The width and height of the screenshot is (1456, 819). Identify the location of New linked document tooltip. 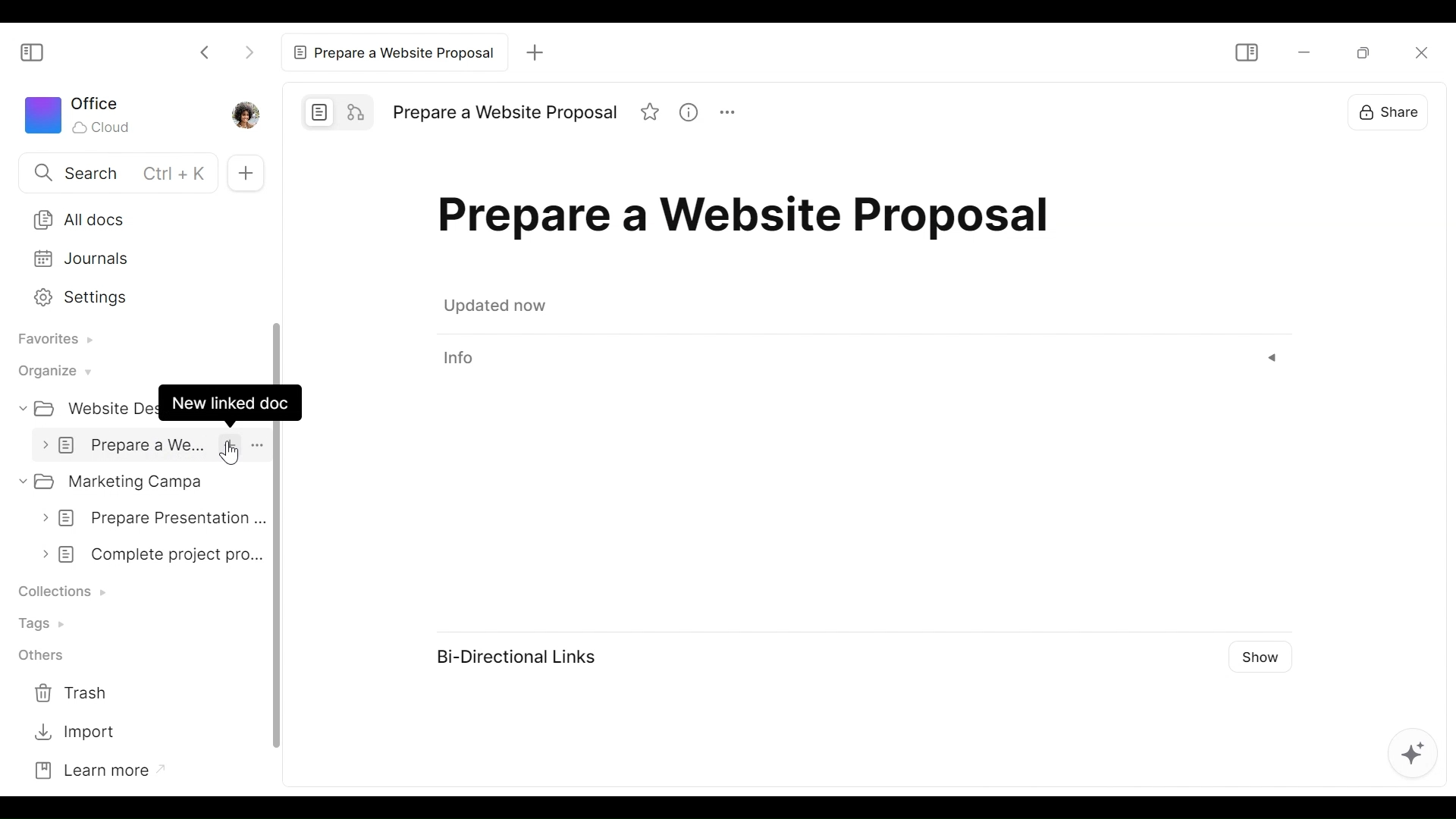
(231, 403).